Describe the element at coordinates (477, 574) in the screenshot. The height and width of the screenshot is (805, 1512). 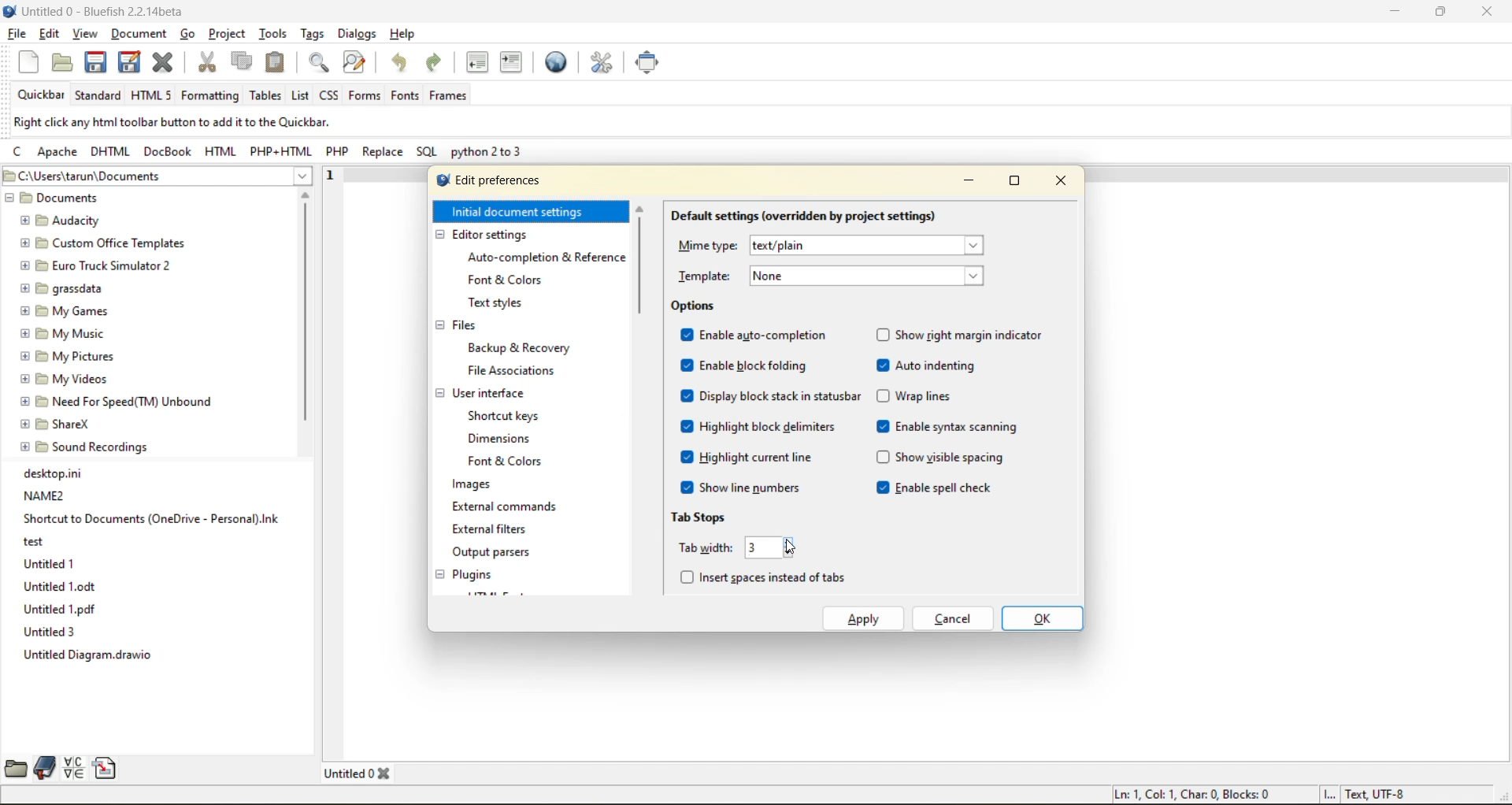
I see `plugins` at that location.